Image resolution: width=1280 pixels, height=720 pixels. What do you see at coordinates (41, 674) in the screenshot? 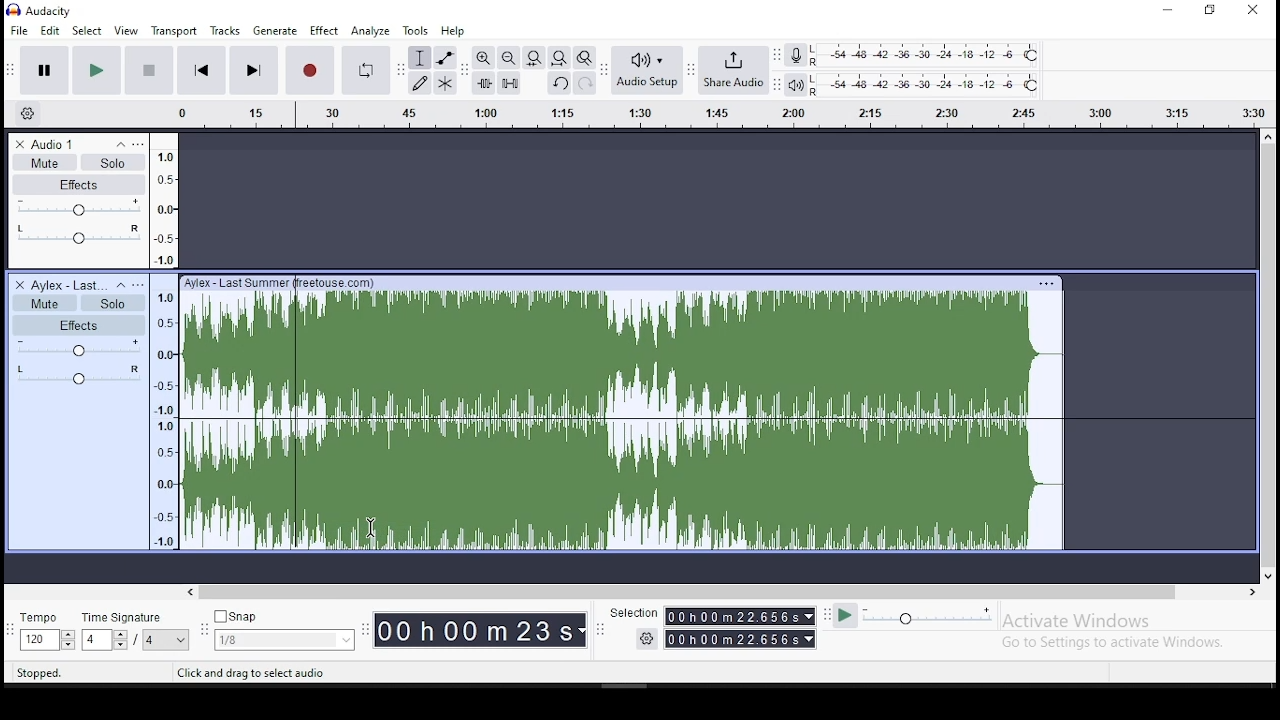
I see `stopped` at bounding box center [41, 674].